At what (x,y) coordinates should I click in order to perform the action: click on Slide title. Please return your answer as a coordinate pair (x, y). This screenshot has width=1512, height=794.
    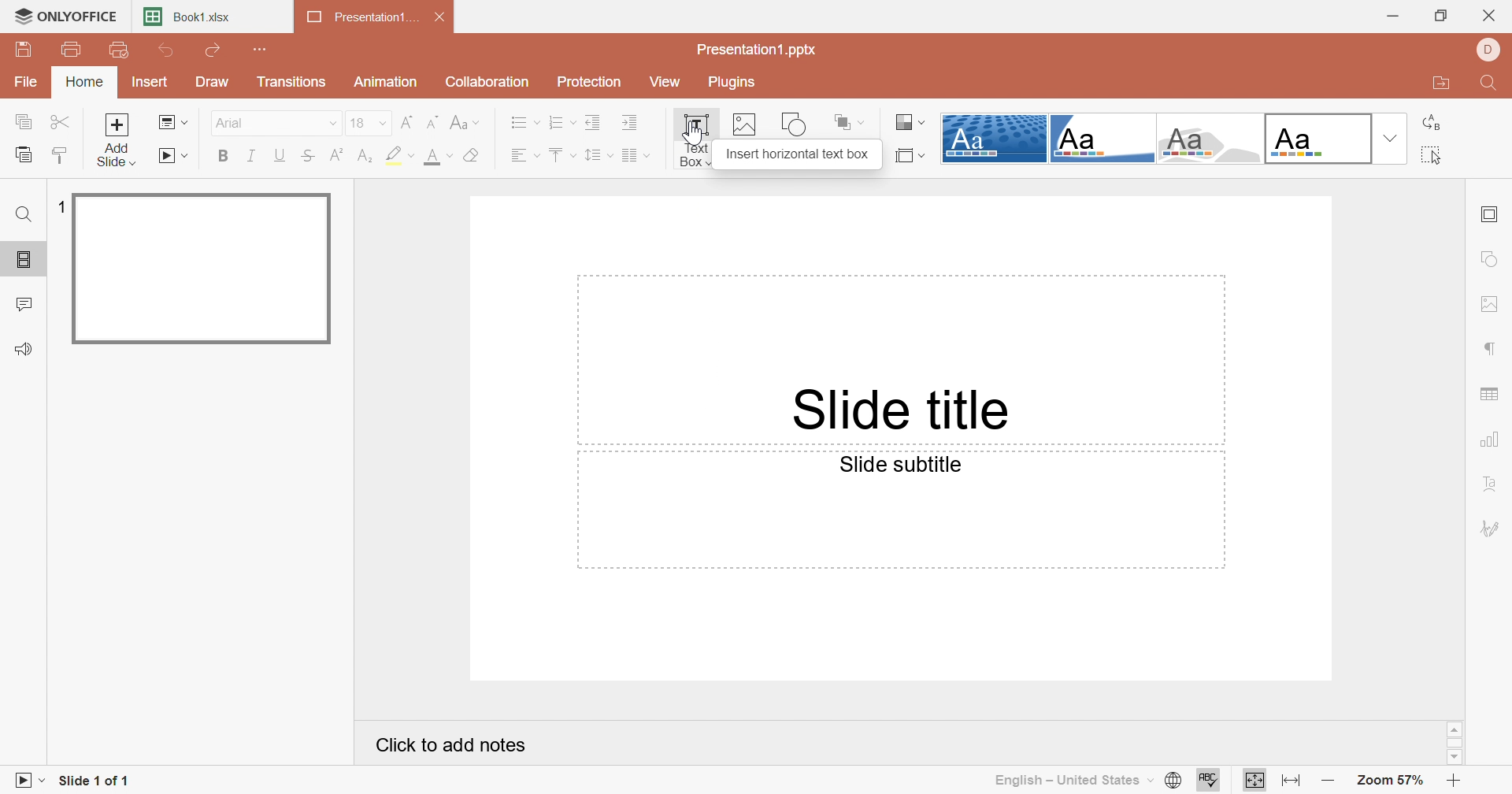
    Looking at the image, I should click on (908, 410).